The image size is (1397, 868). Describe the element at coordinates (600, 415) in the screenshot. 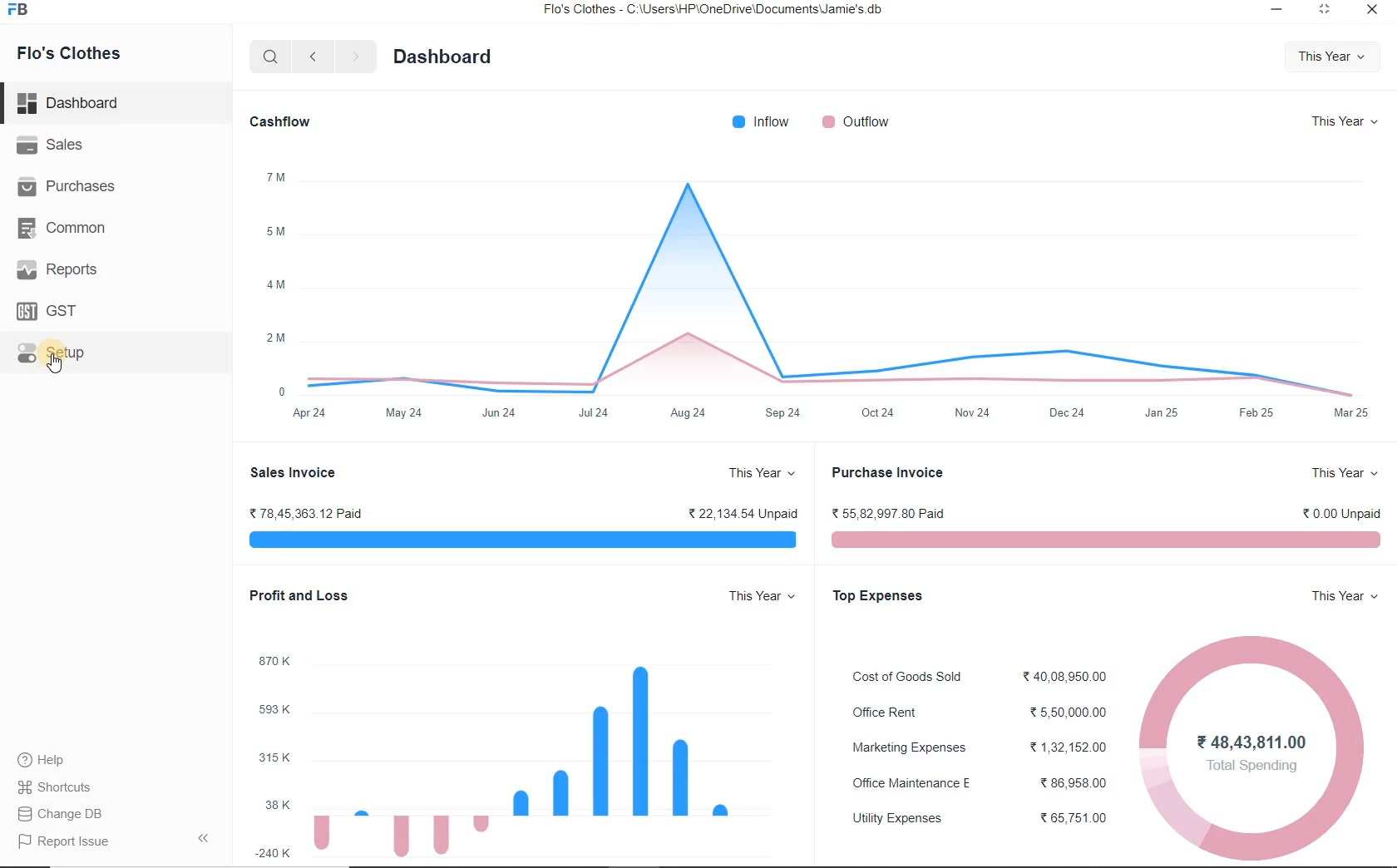

I see `Jul 24` at that location.